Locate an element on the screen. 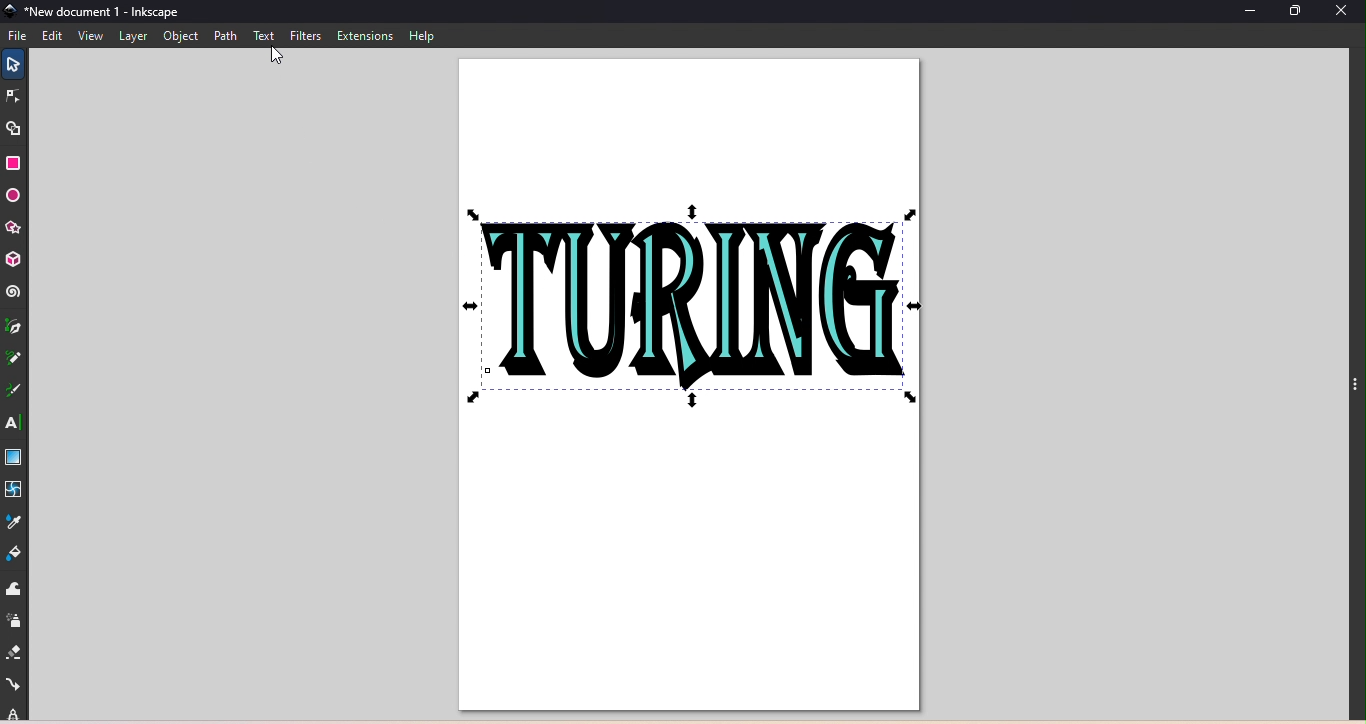  File is located at coordinates (19, 35).